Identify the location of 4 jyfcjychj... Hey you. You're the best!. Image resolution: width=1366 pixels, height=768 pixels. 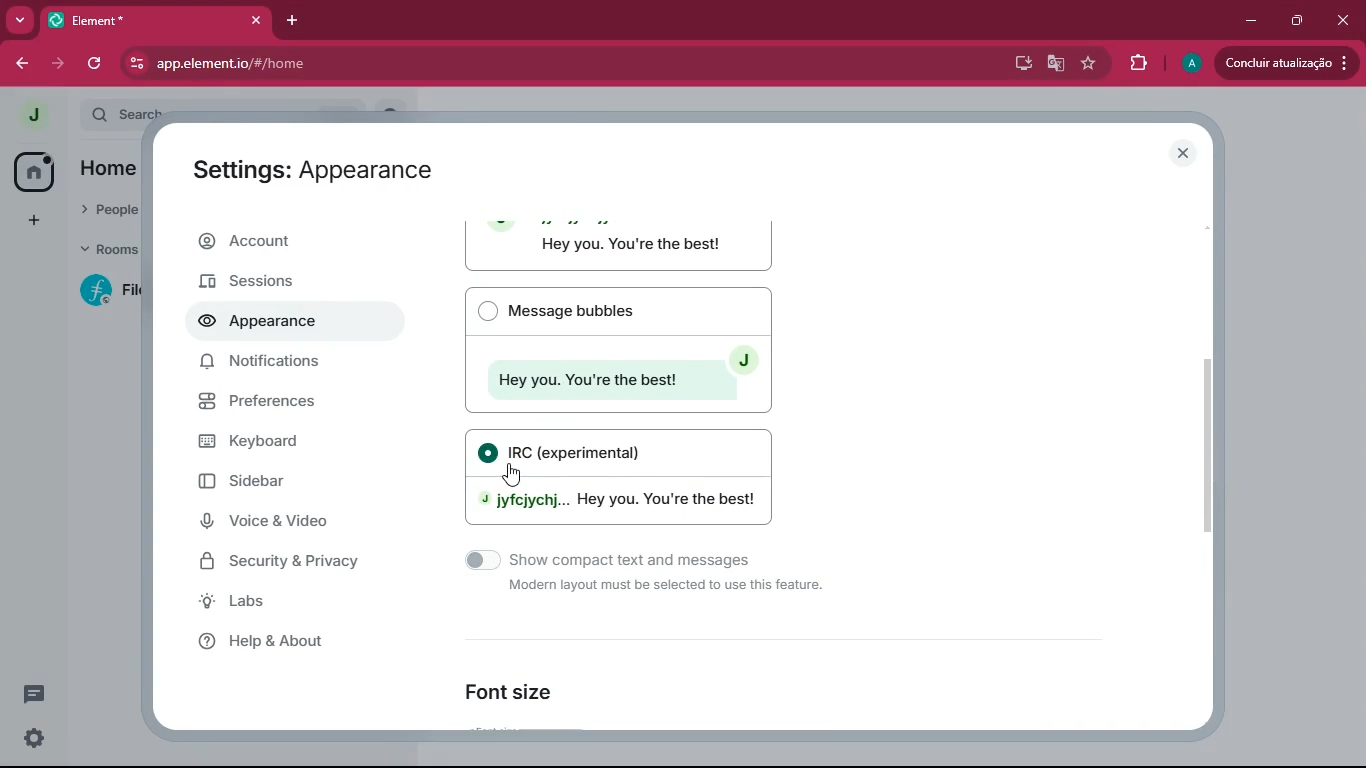
(616, 505).